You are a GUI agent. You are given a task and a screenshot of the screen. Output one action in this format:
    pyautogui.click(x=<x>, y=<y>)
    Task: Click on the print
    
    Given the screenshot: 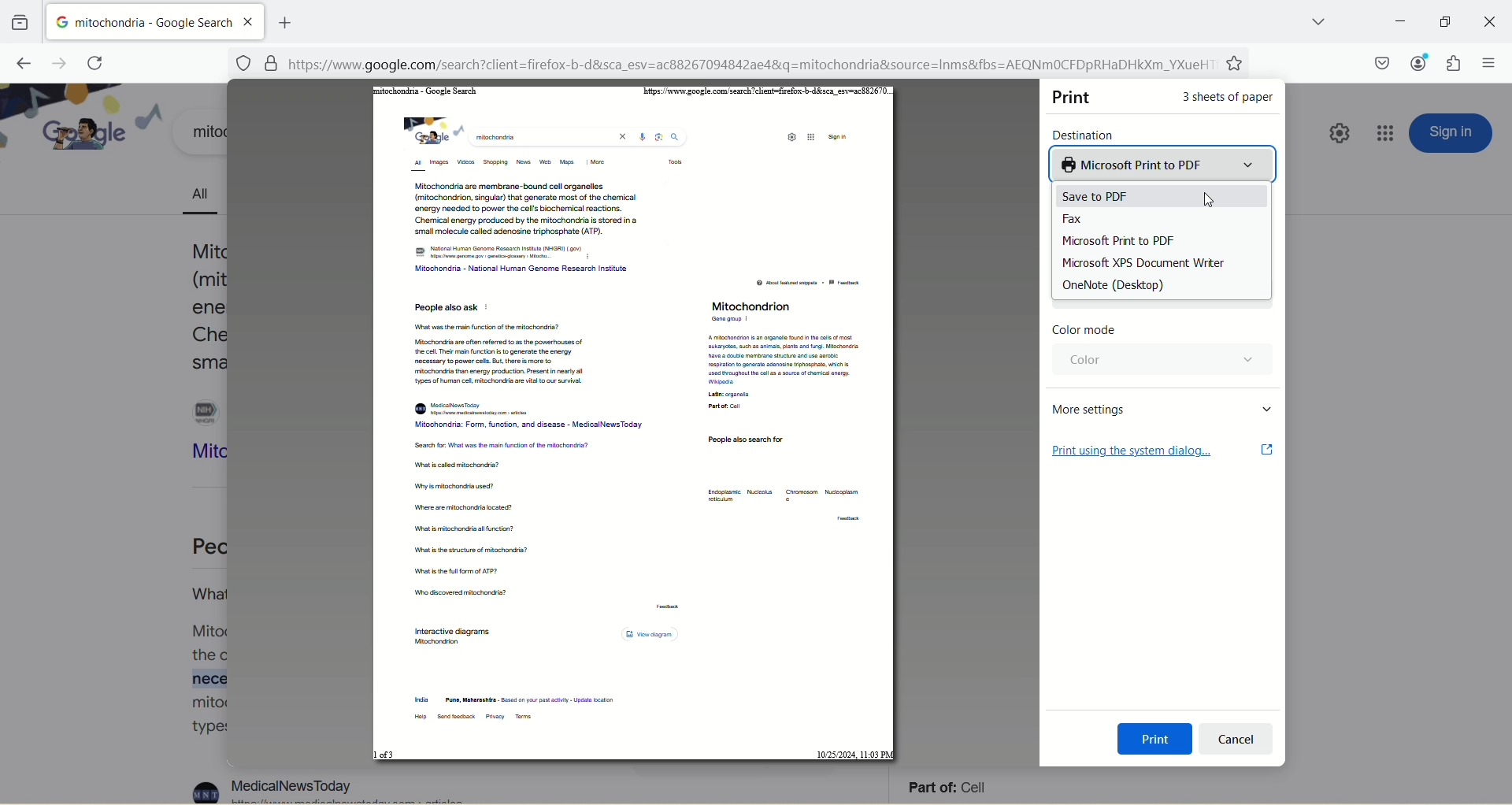 What is the action you would take?
    pyautogui.click(x=1074, y=97)
    